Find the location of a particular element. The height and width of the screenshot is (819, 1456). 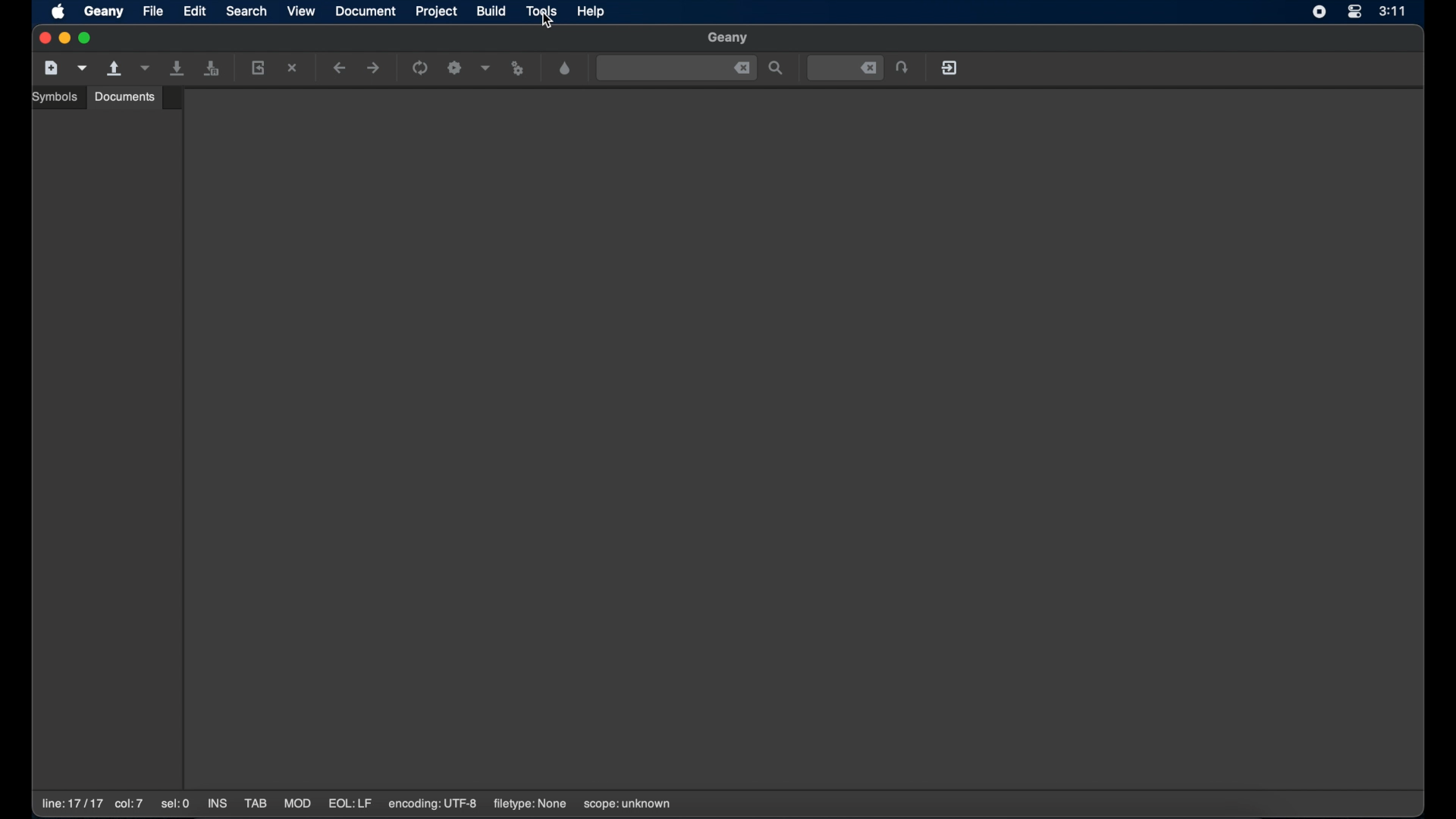

screen recorder icon is located at coordinates (1319, 12).